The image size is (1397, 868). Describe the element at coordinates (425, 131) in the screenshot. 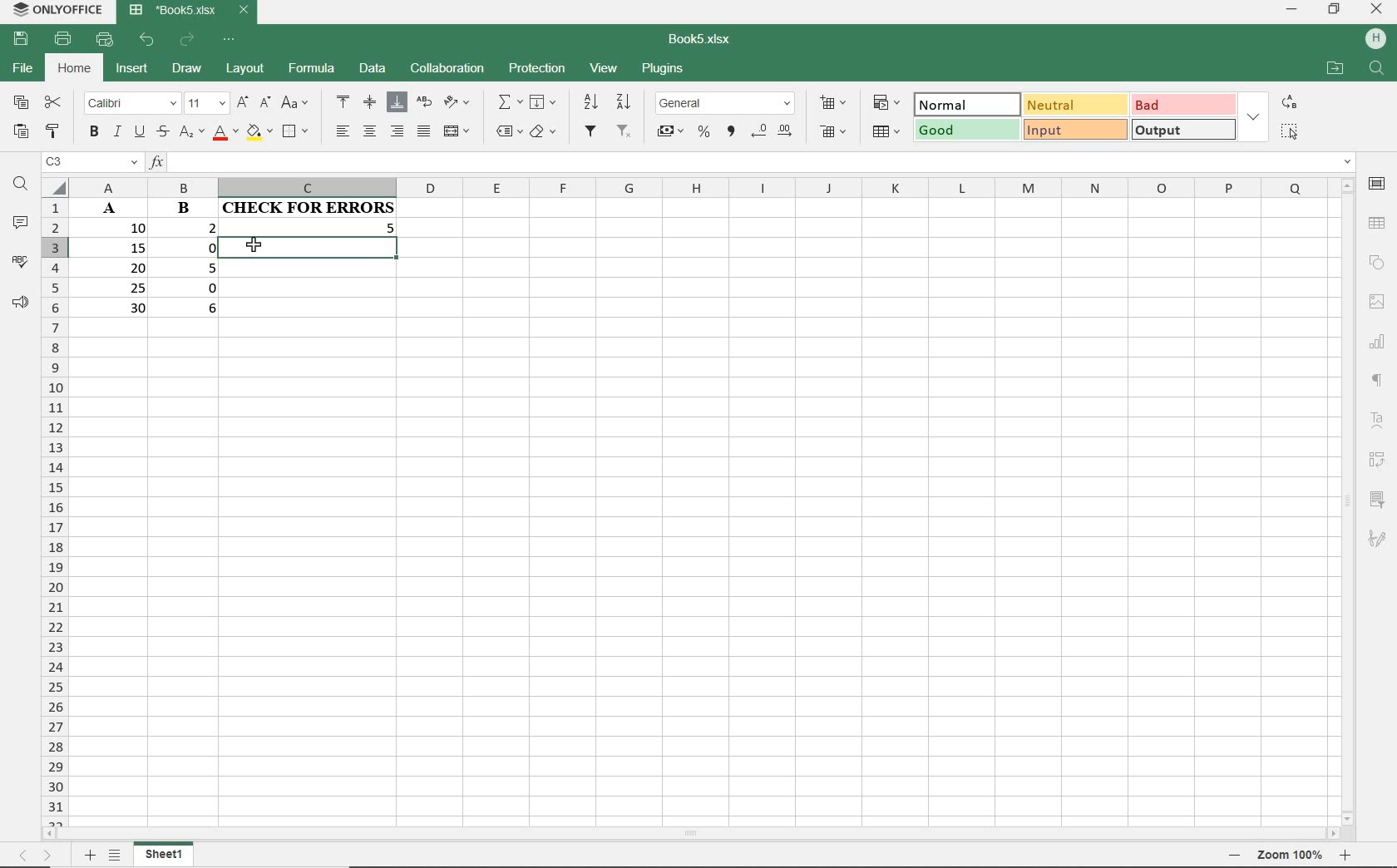

I see `JUSTIFIED` at that location.